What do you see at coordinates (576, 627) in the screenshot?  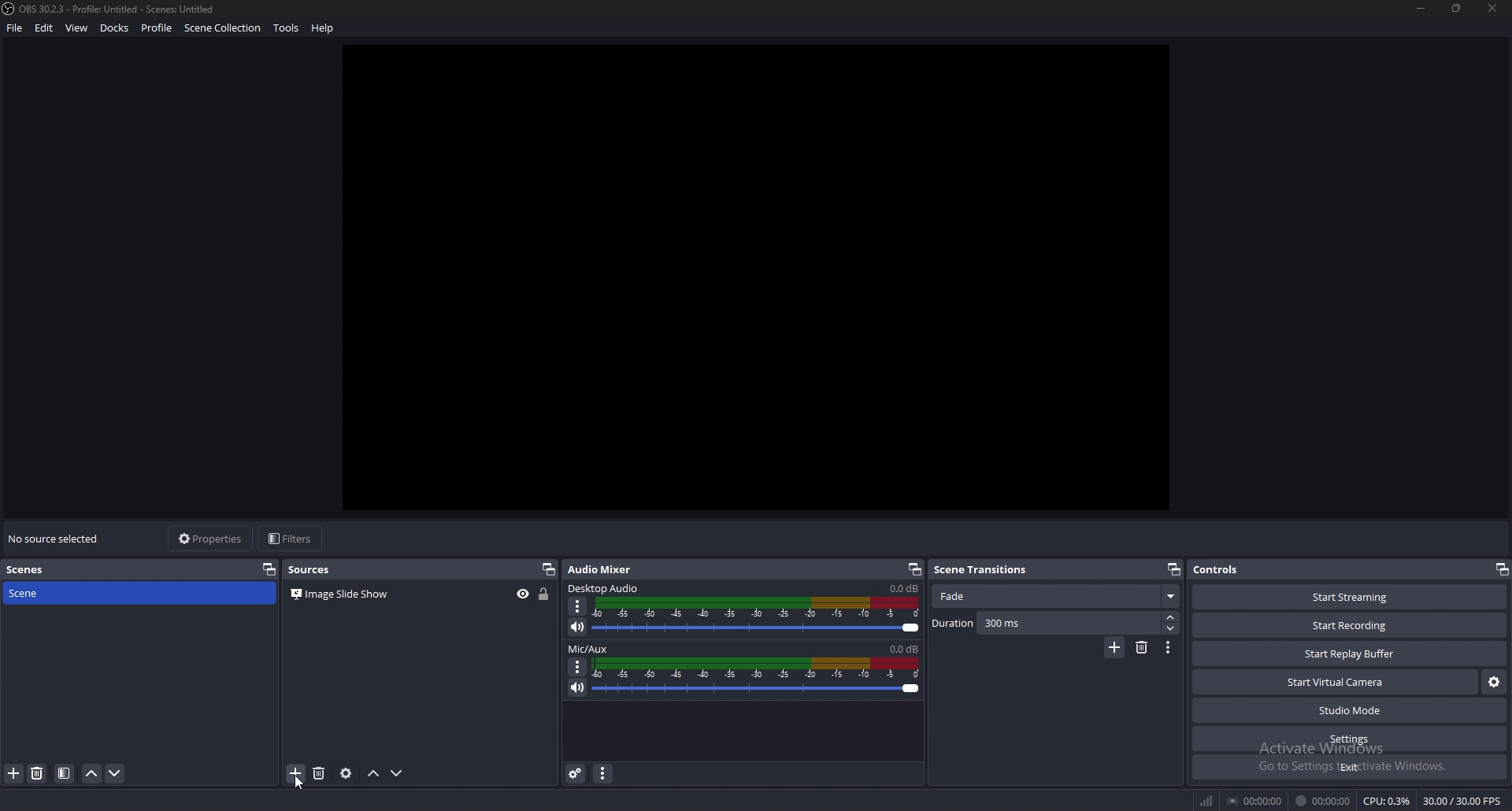 I see `mute` at bounding box center [576, 627].